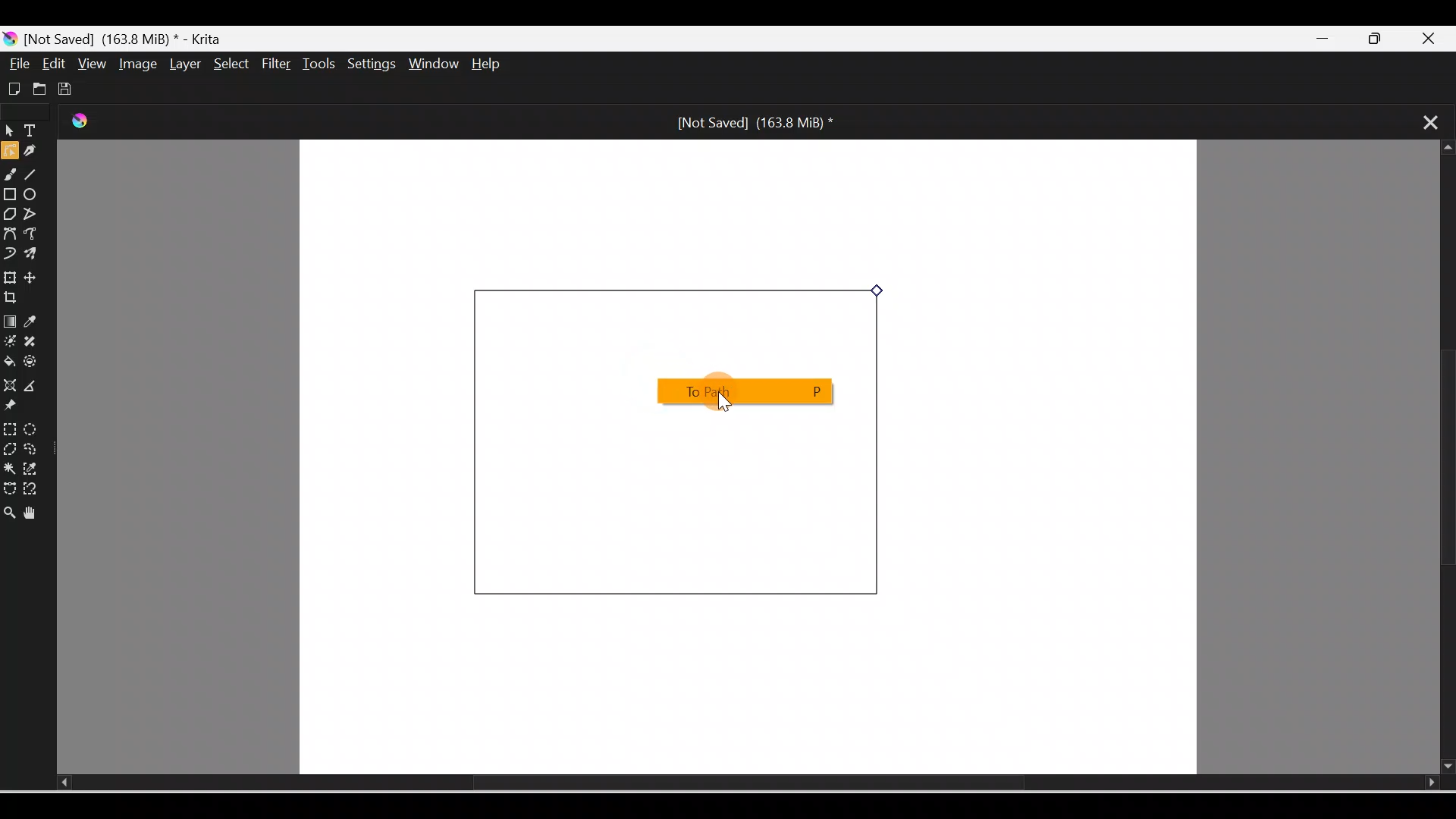 The image size is (1456, 819). Describe the element at coordinates (20, 64) in the screenshot. I see `File` at that location.